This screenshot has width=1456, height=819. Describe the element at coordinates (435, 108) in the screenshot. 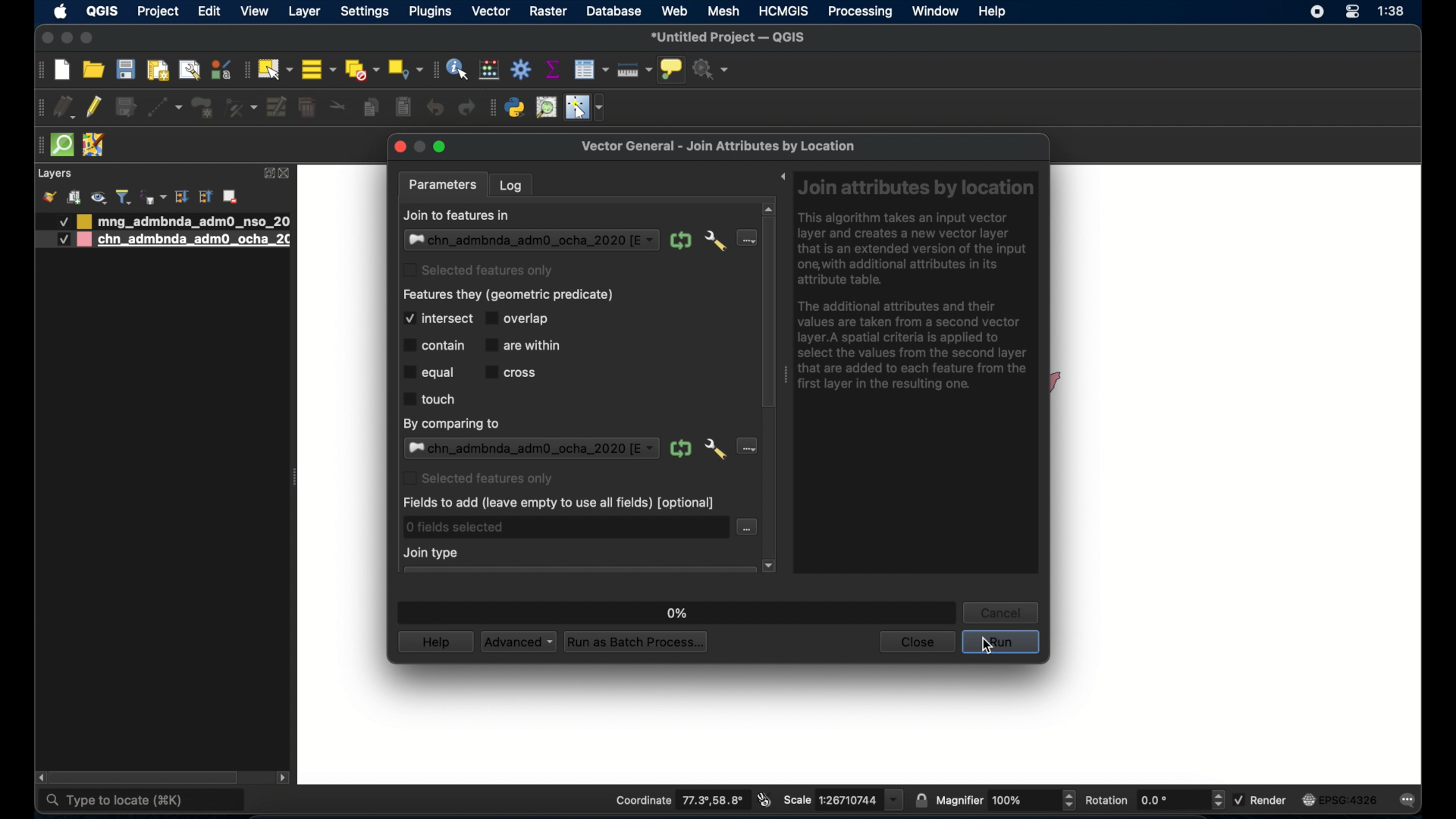

I see `undo` at that location.